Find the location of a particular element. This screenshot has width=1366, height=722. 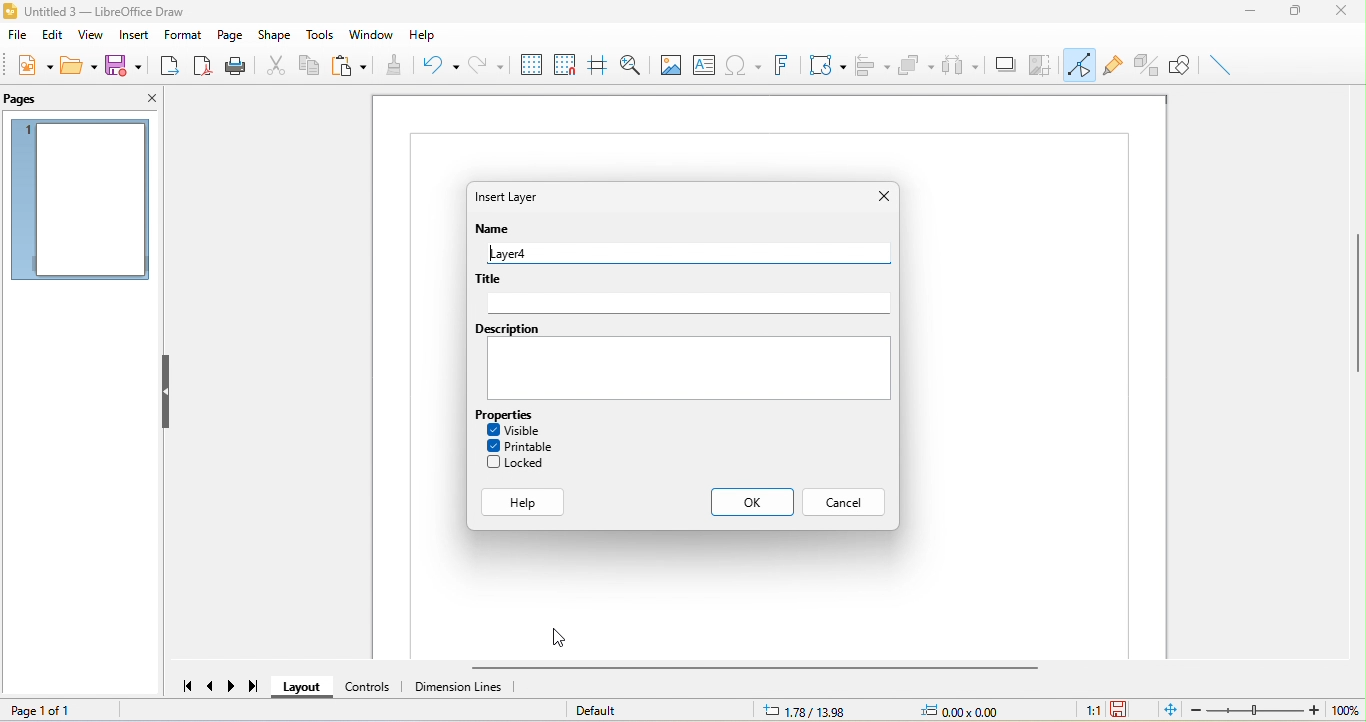

export direct as pdf is located at coordinates (203, 65).